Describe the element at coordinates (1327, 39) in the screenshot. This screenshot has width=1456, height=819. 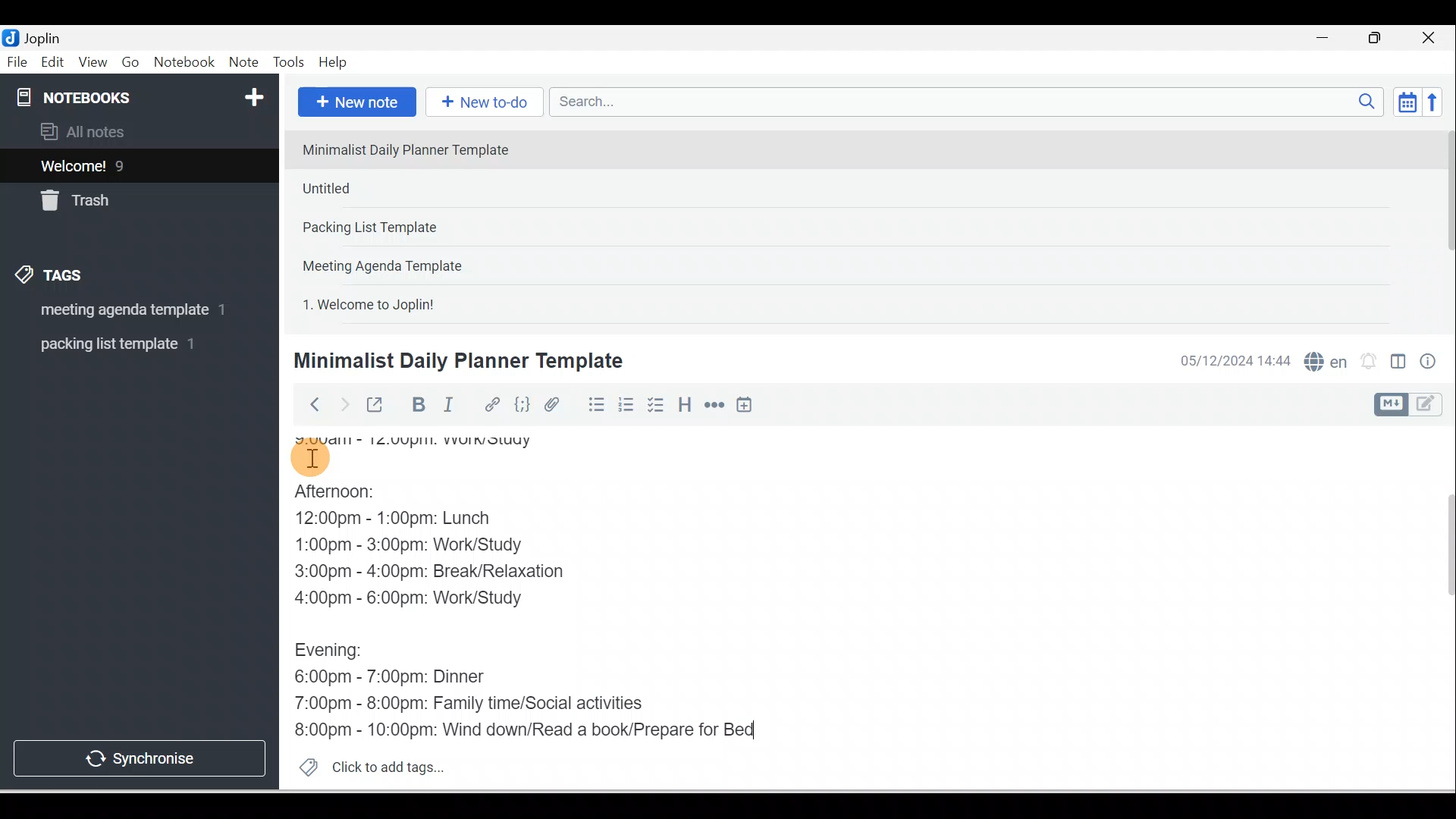
I see `Minimise` at that location.